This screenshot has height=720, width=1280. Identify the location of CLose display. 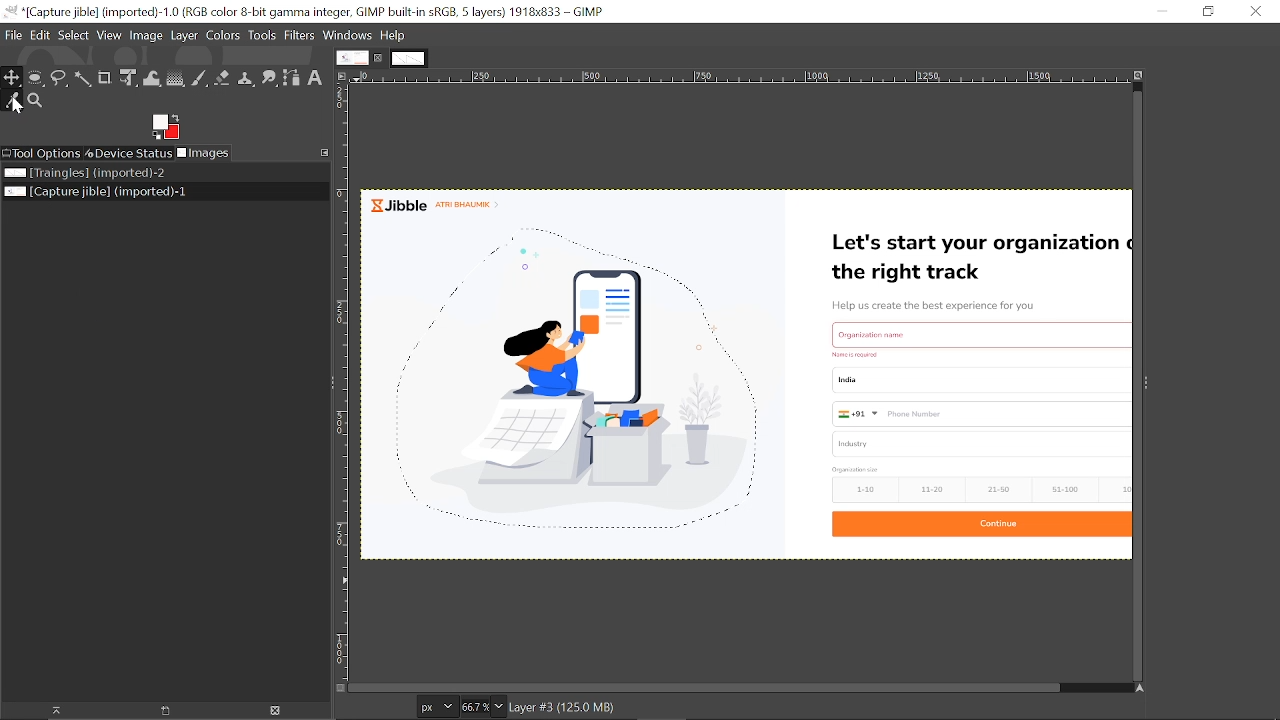
(276, 710).